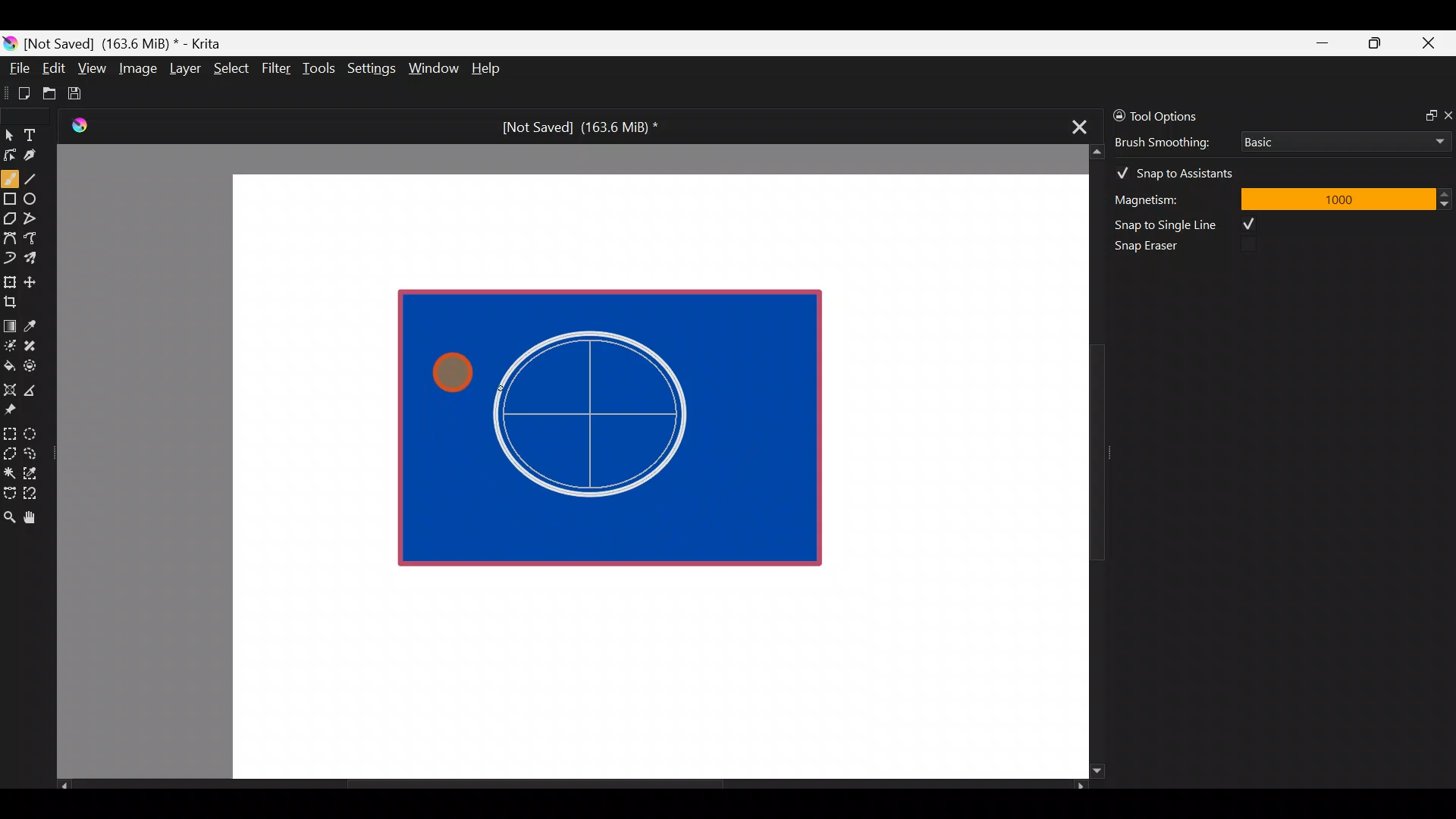  I want to click on Move a layer, so click(35, 280).